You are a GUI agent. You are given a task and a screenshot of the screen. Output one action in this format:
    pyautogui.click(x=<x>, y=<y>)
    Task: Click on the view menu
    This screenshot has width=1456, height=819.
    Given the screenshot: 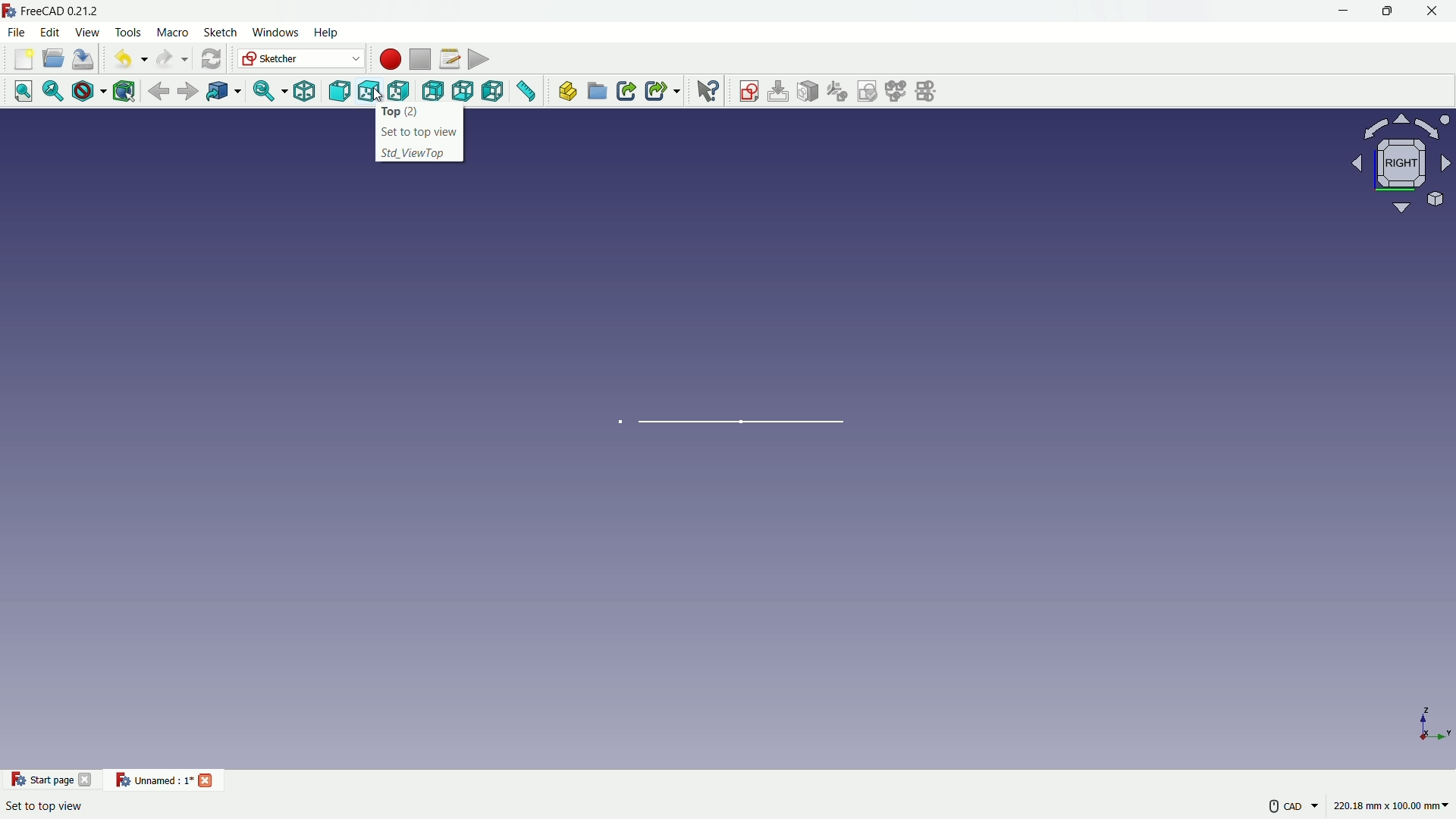 What is the action you would take?
    pyautogui.click(x=89, y=33)
    